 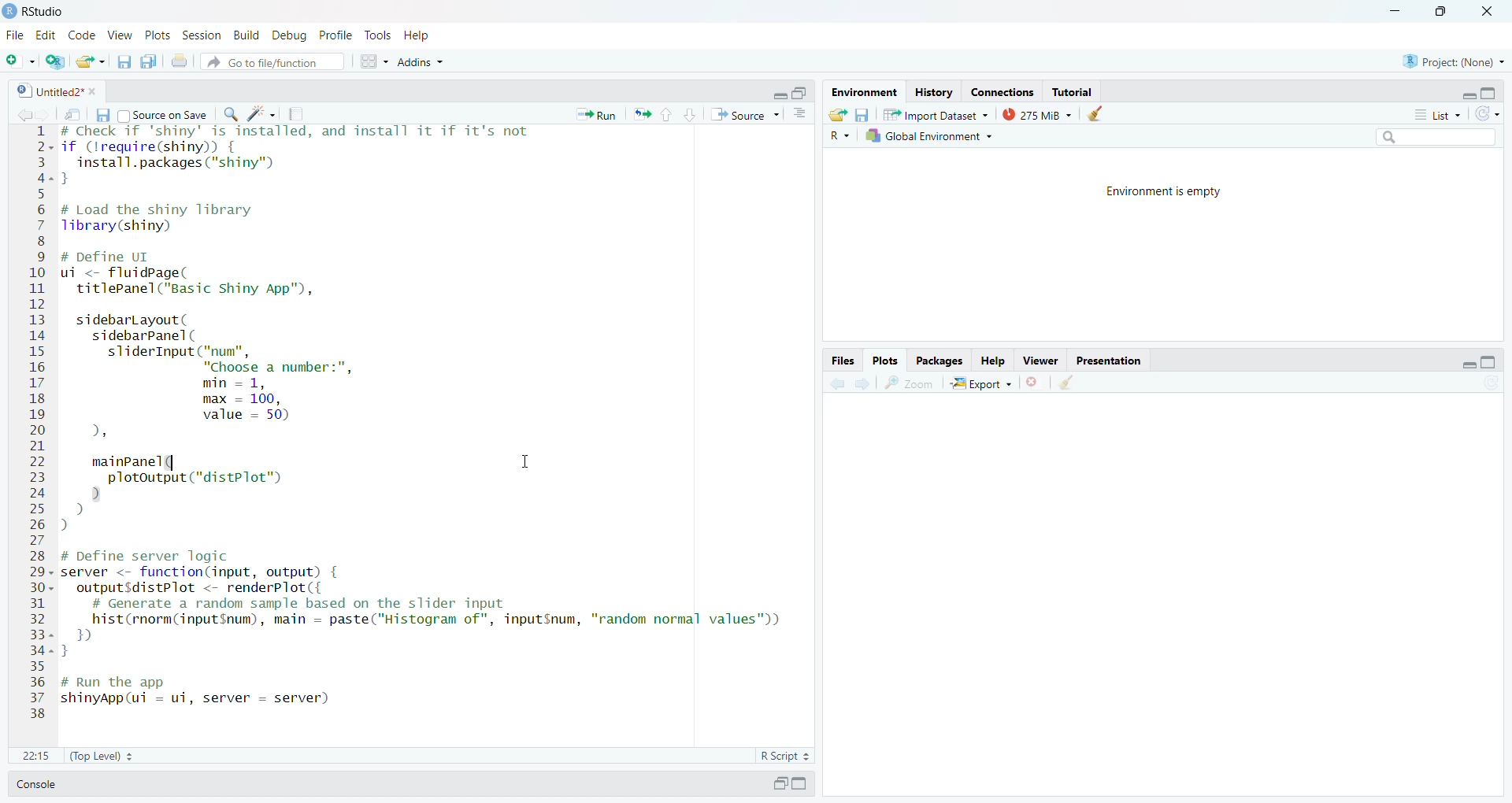 What do you see at coordinates (801, 783) in the screenshot?
I see `maximize` at bounding box center [801, 783].